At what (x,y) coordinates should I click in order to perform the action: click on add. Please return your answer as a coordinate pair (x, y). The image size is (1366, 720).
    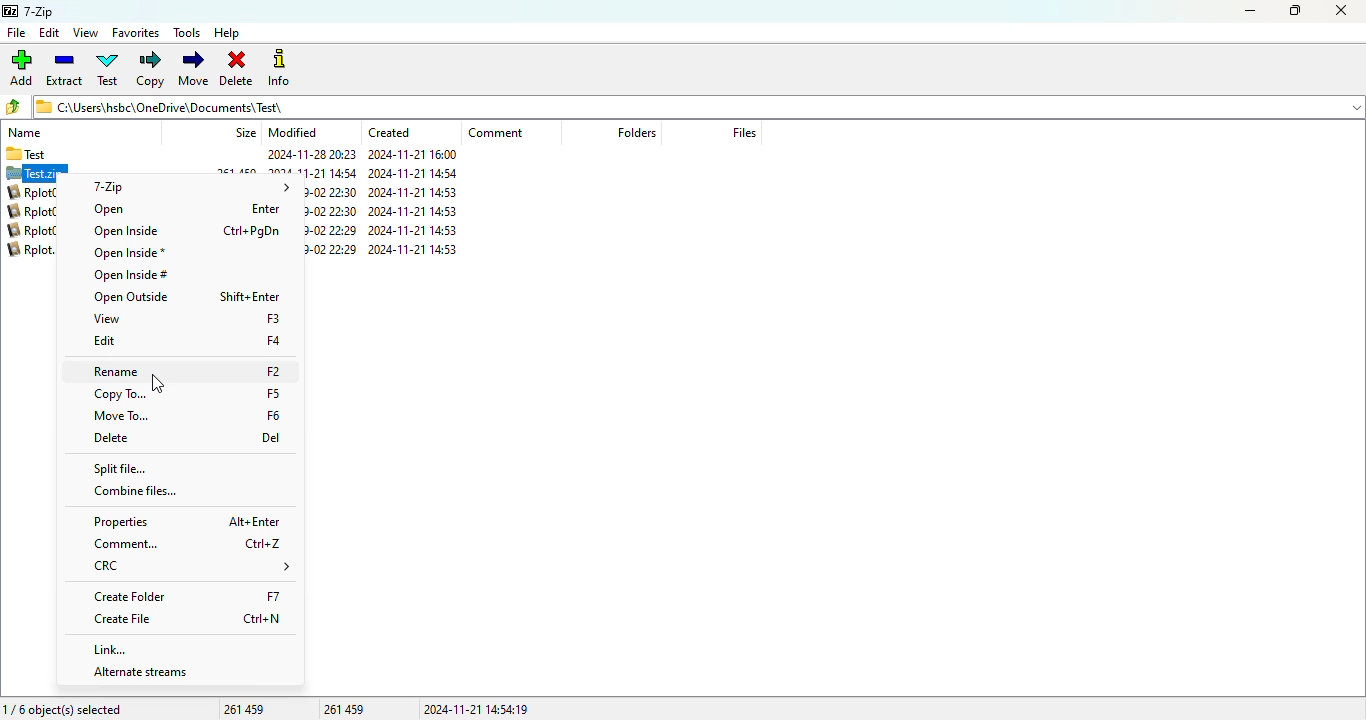
    Looking at the image, I should click on (22, 68).